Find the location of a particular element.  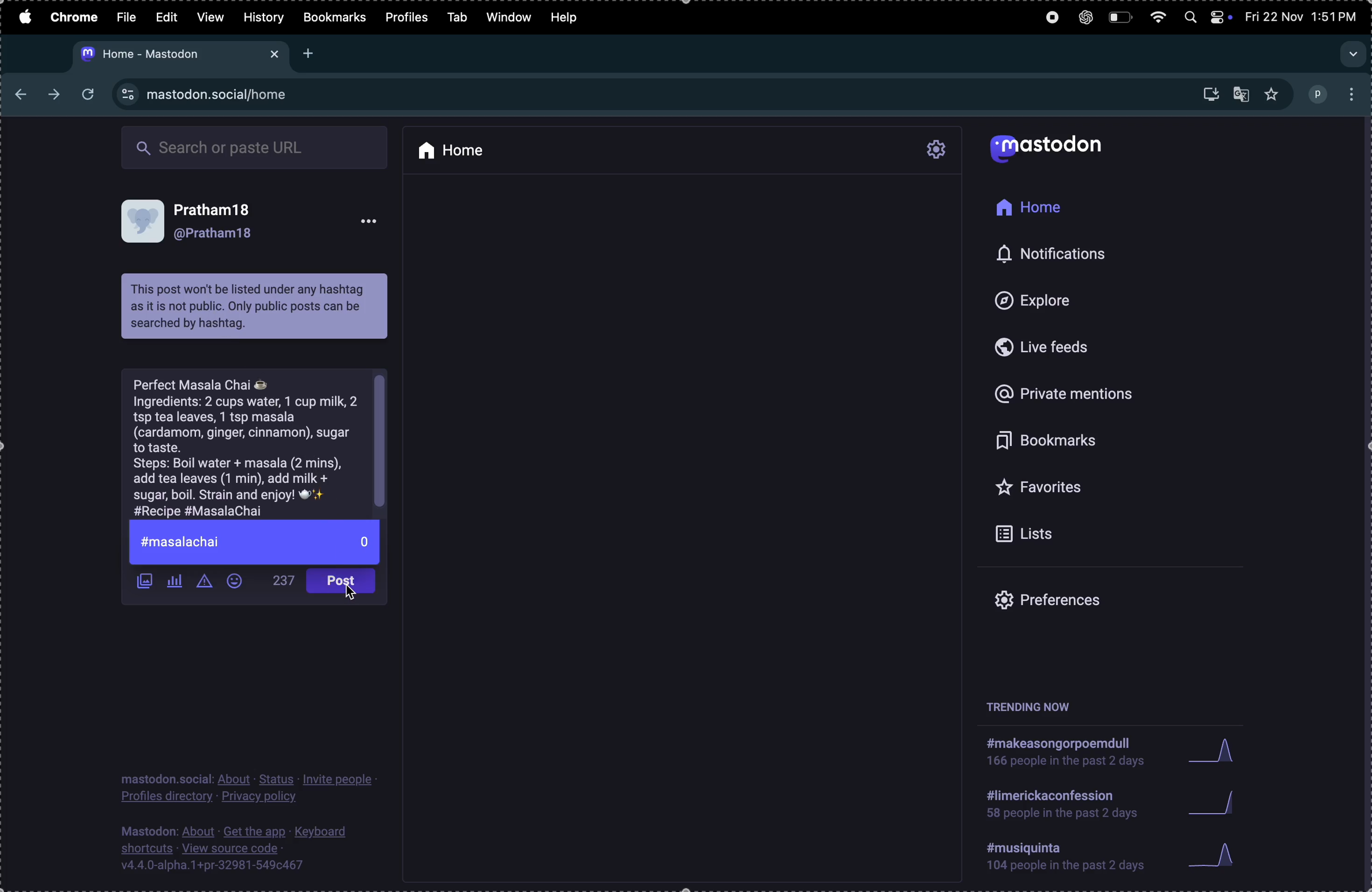

view site information is located at coordinates (125, 92).